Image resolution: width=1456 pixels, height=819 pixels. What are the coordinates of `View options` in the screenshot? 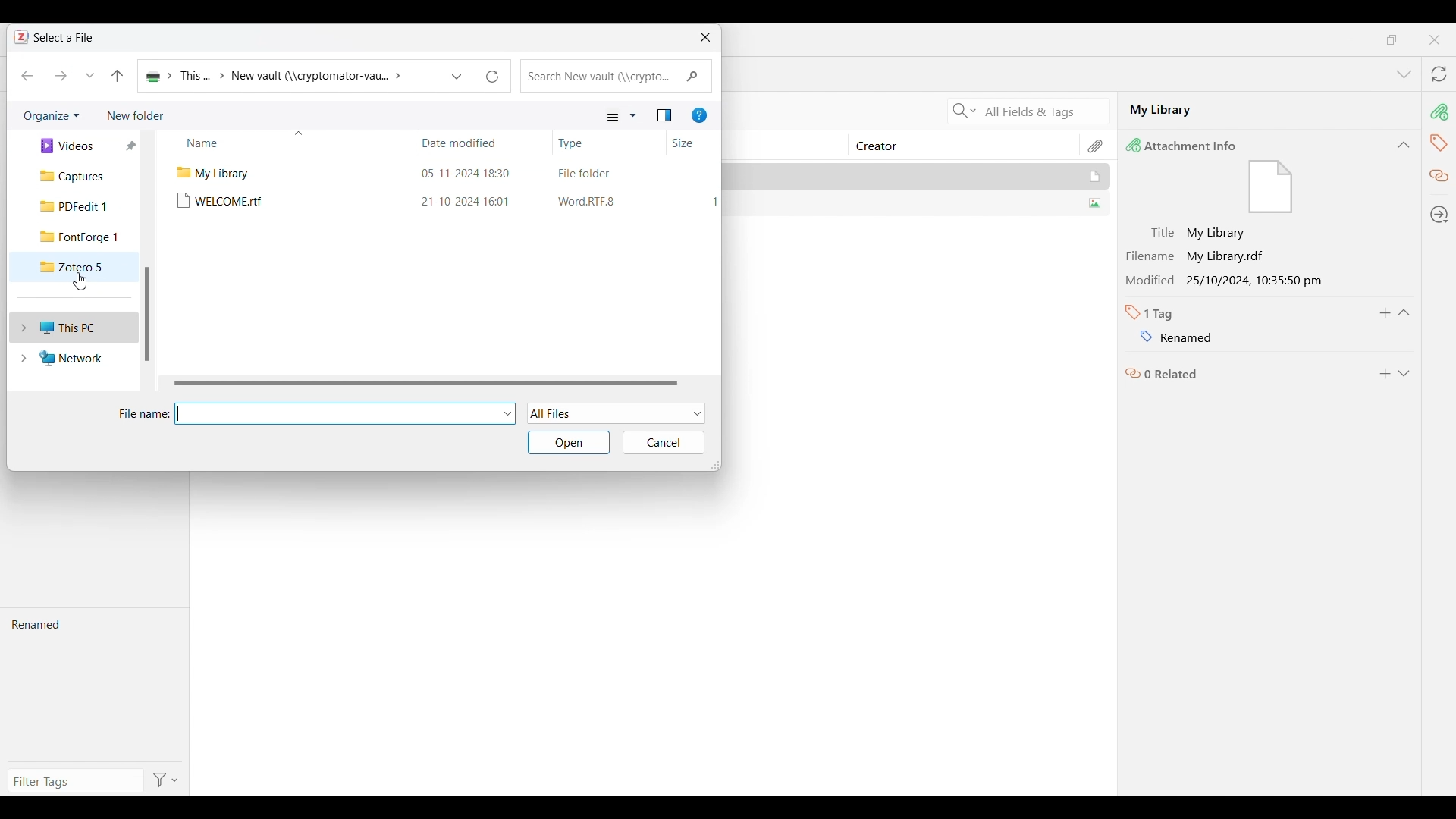 It's located at (632, 115).